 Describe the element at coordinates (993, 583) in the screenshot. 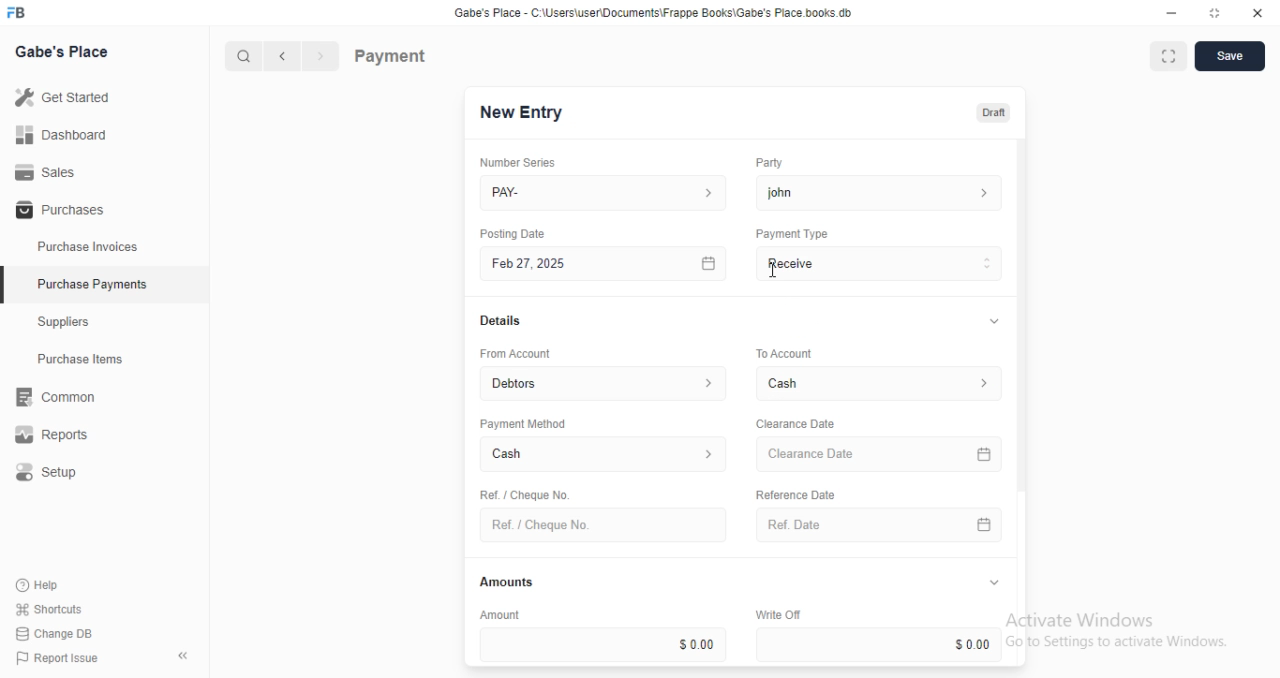

I see `expand/collapse` at that location.